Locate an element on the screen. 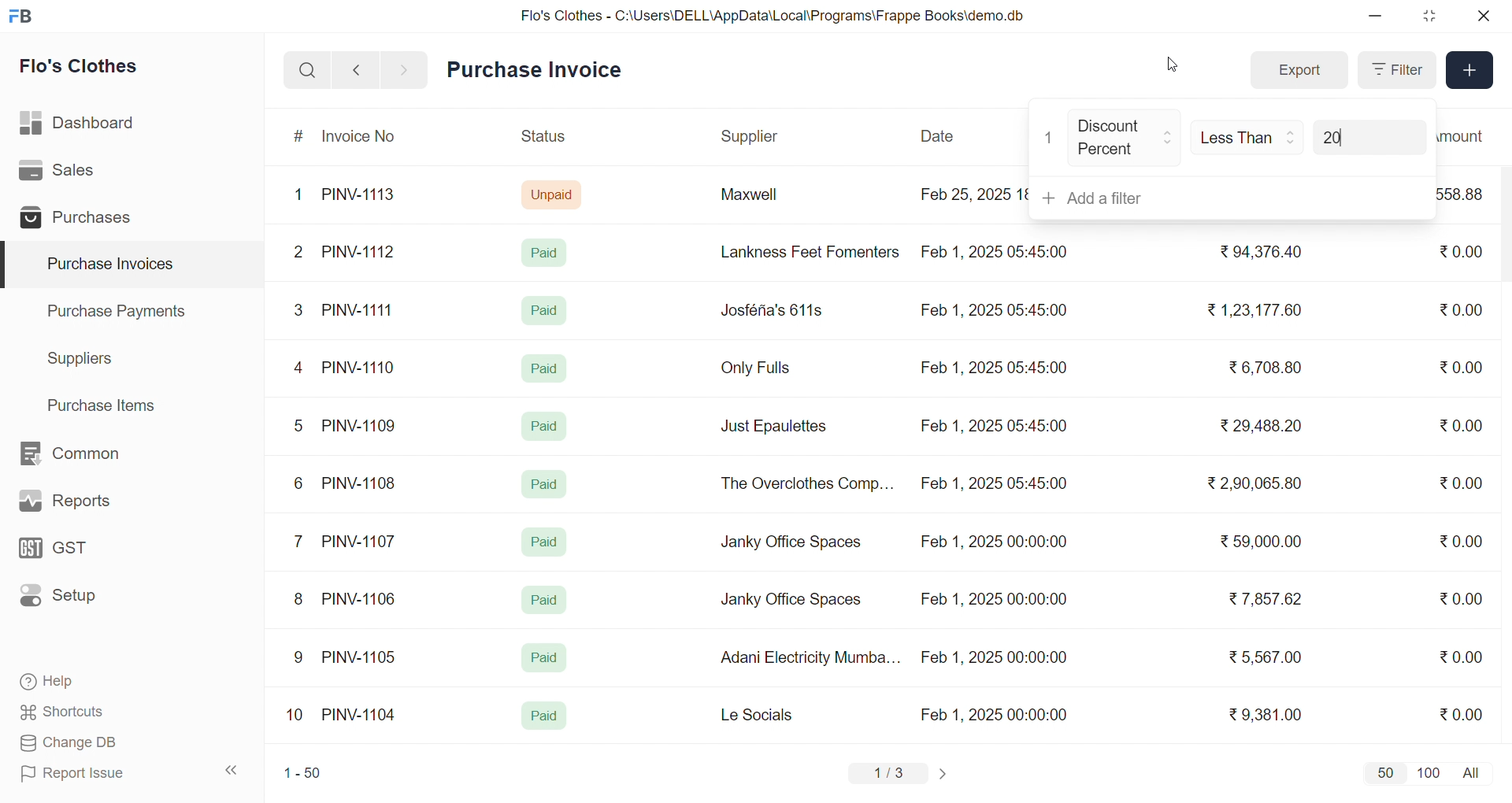 Image resolution: width=1512 pixels, height=803 pixels. Josféria's 611s is located at coordinates (769, 308).